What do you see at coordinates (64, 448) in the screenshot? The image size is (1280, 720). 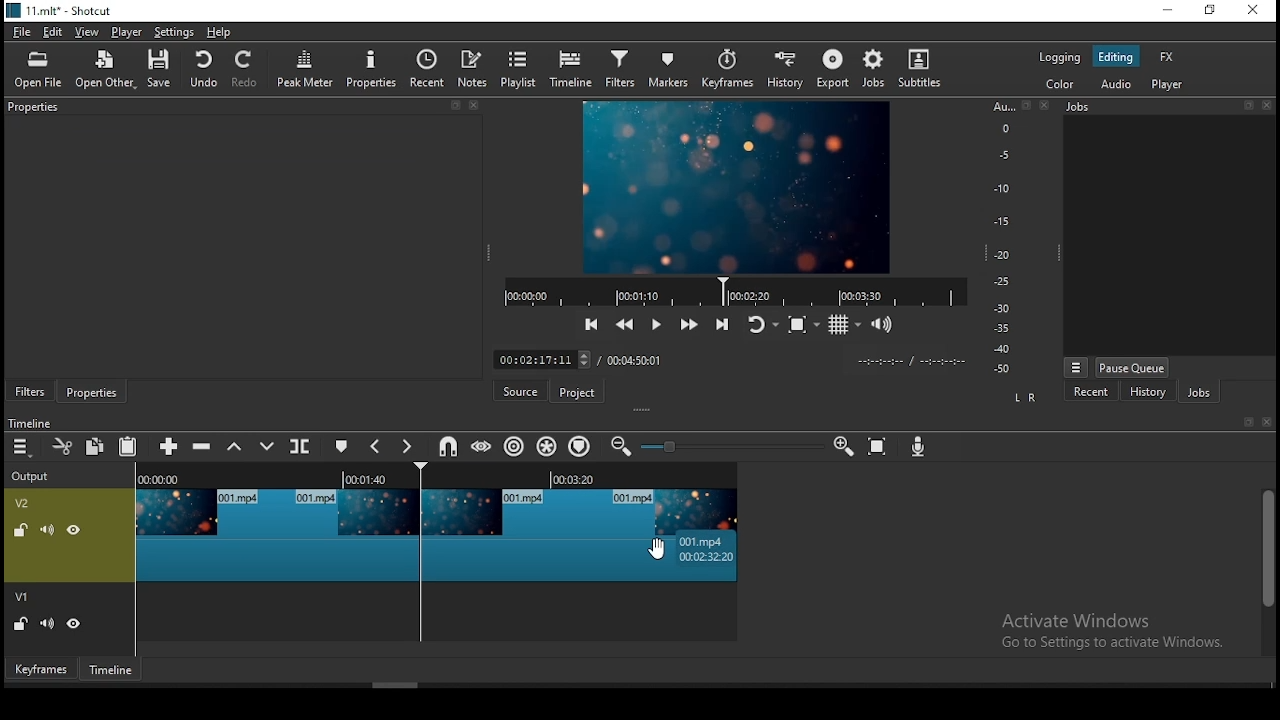 I see `cut` at bounding box center [64, 448].